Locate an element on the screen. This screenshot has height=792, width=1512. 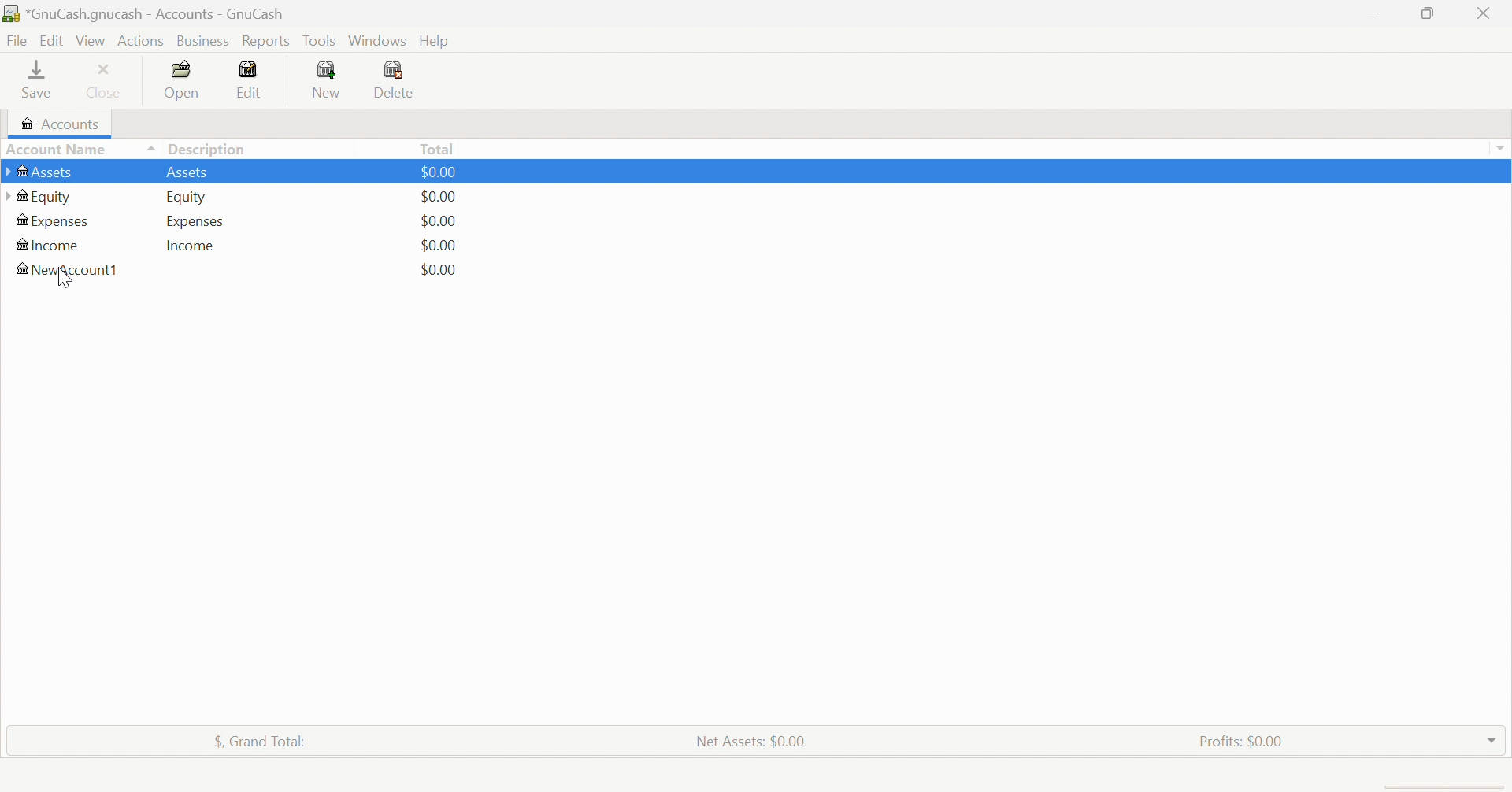
Income is located at coordinates (196, 244).